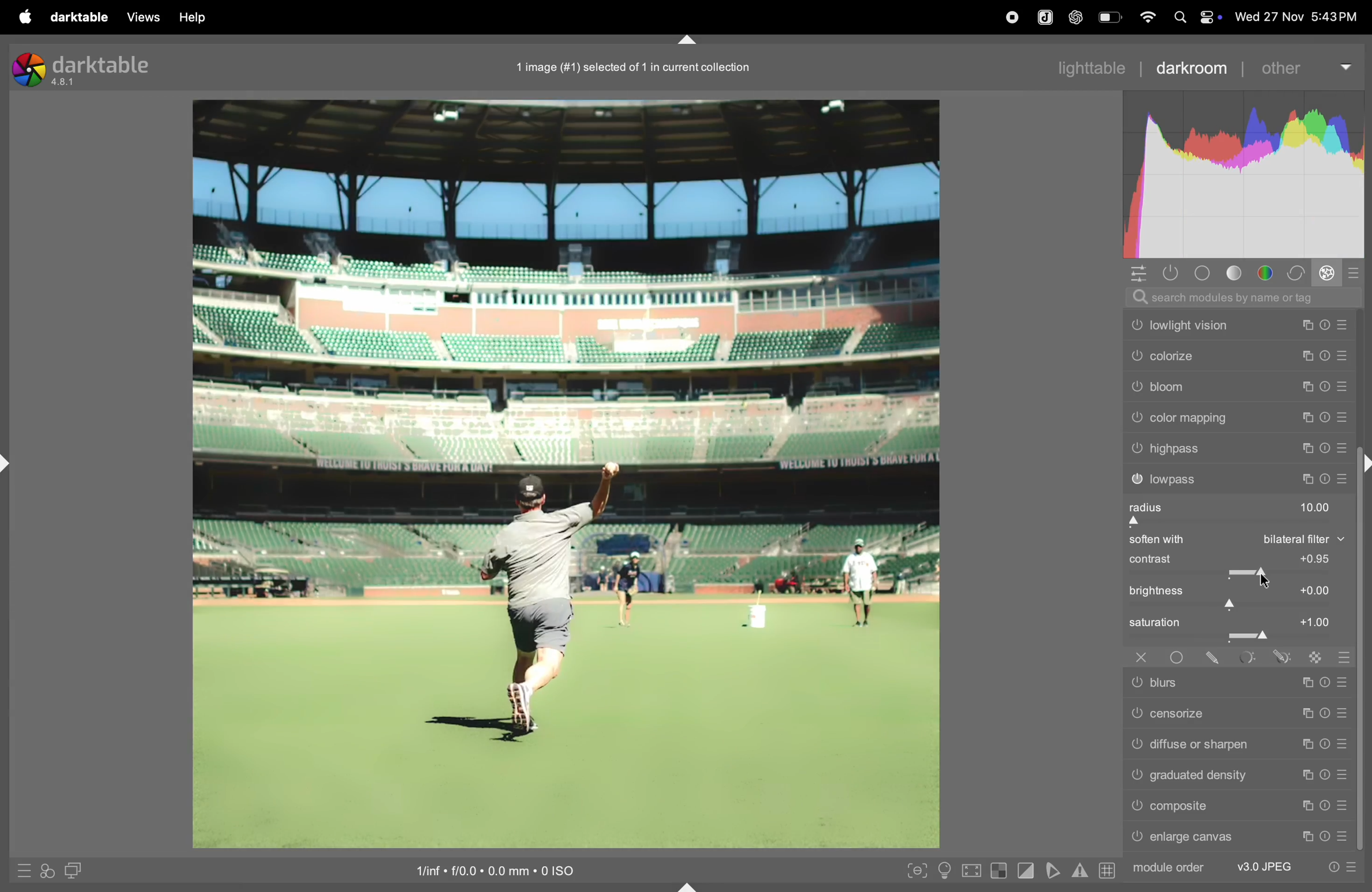  I want to click on module order, so click(1245, 866).